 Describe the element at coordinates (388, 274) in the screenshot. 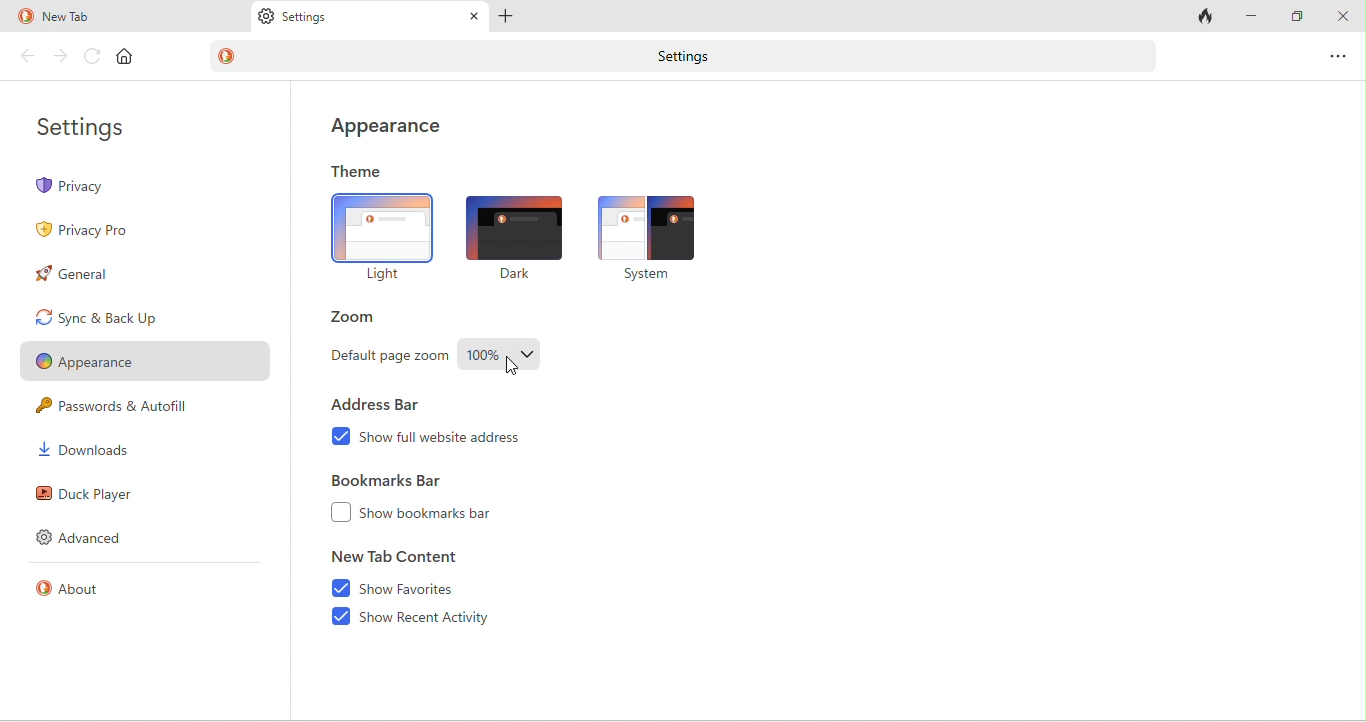

I see `light` at that location.